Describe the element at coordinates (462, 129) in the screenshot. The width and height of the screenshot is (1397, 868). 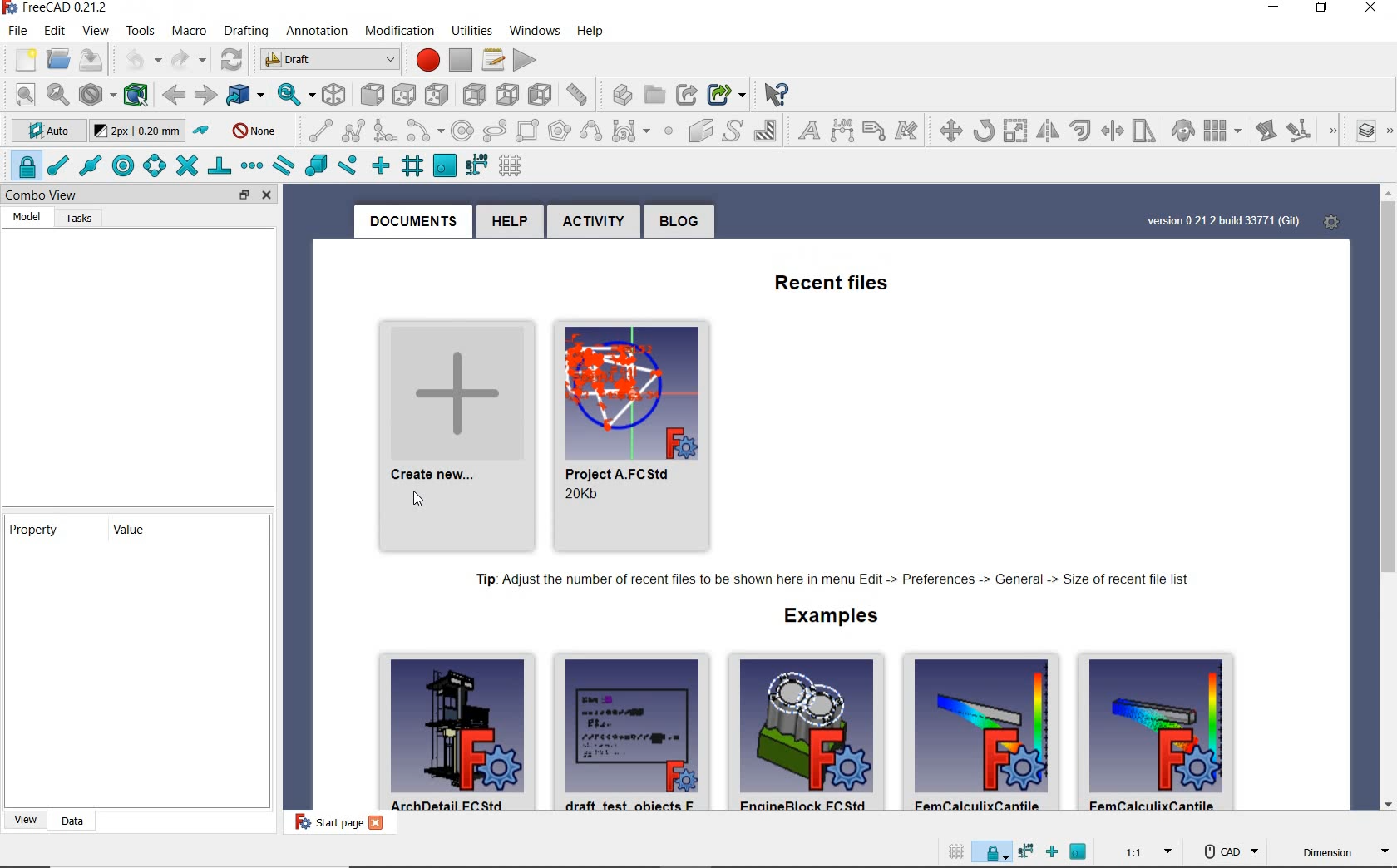
I see `circle` at that location.